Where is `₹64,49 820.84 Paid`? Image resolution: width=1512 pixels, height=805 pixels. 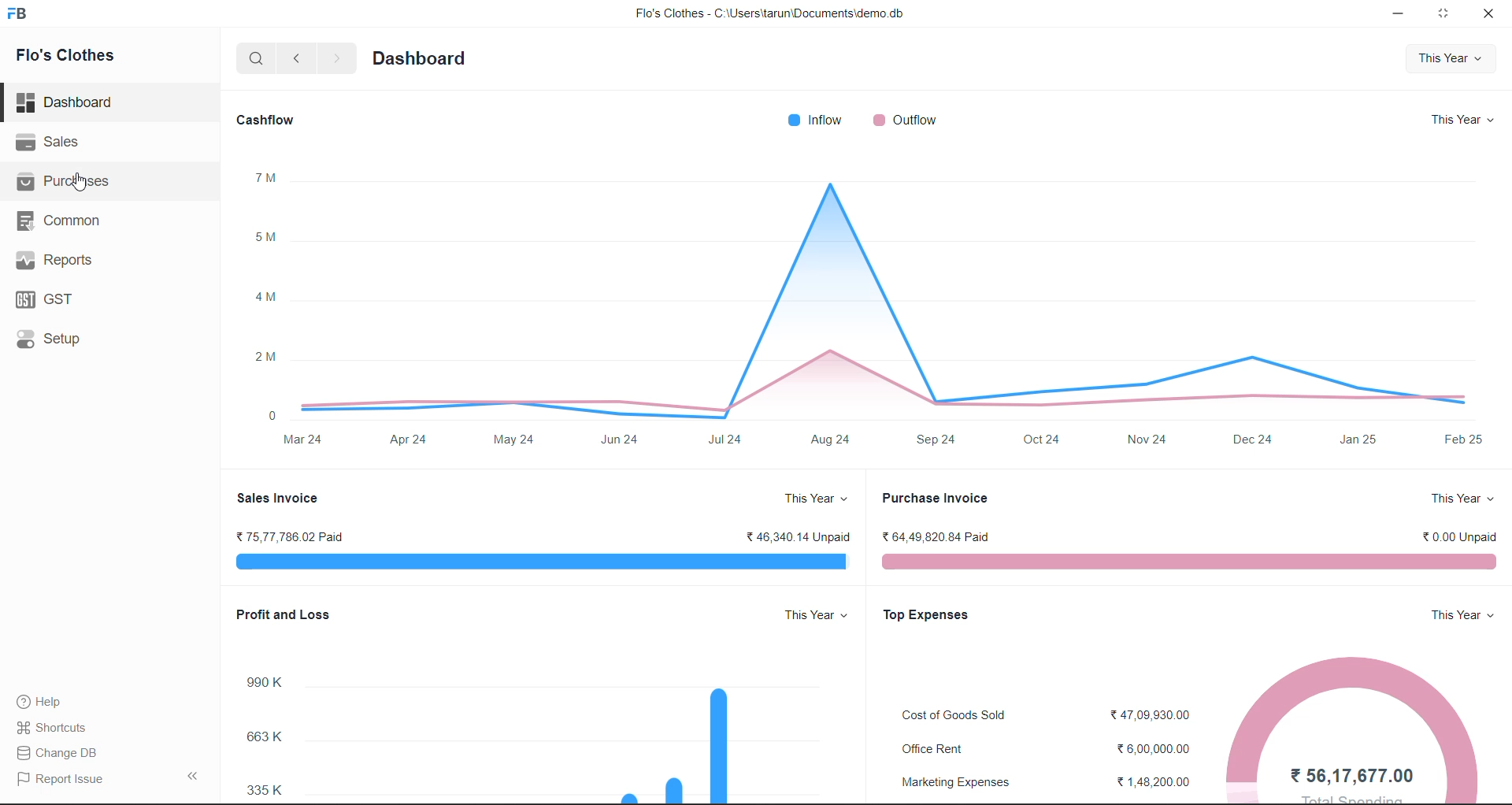
₹64,49 820.84 Paid is located at coordinates (938, 538).